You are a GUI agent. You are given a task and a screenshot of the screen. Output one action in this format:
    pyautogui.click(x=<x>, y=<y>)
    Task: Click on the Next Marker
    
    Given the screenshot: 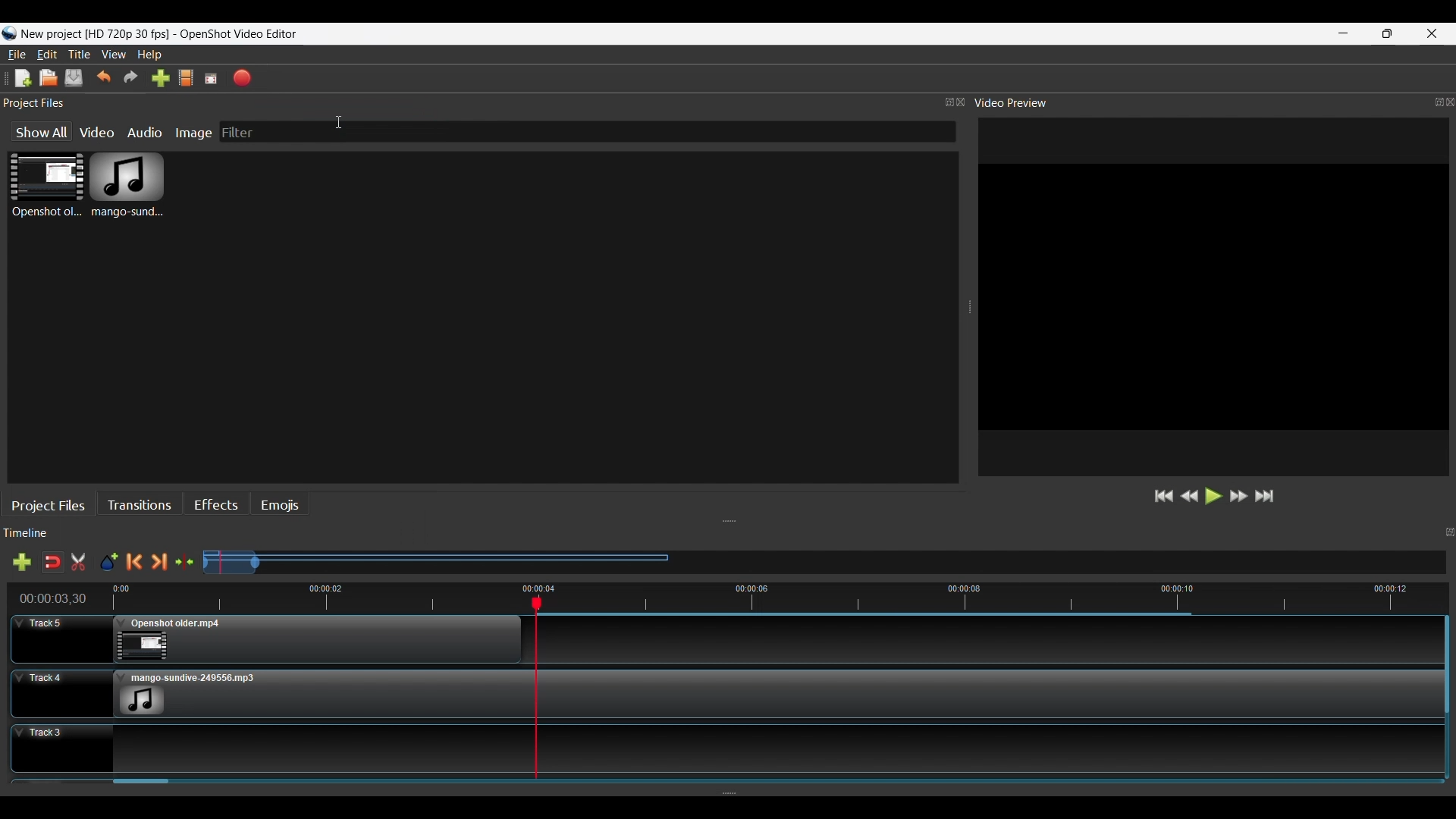 What is the action you would take?
    pyautogui.click(x=159, y=559)
    